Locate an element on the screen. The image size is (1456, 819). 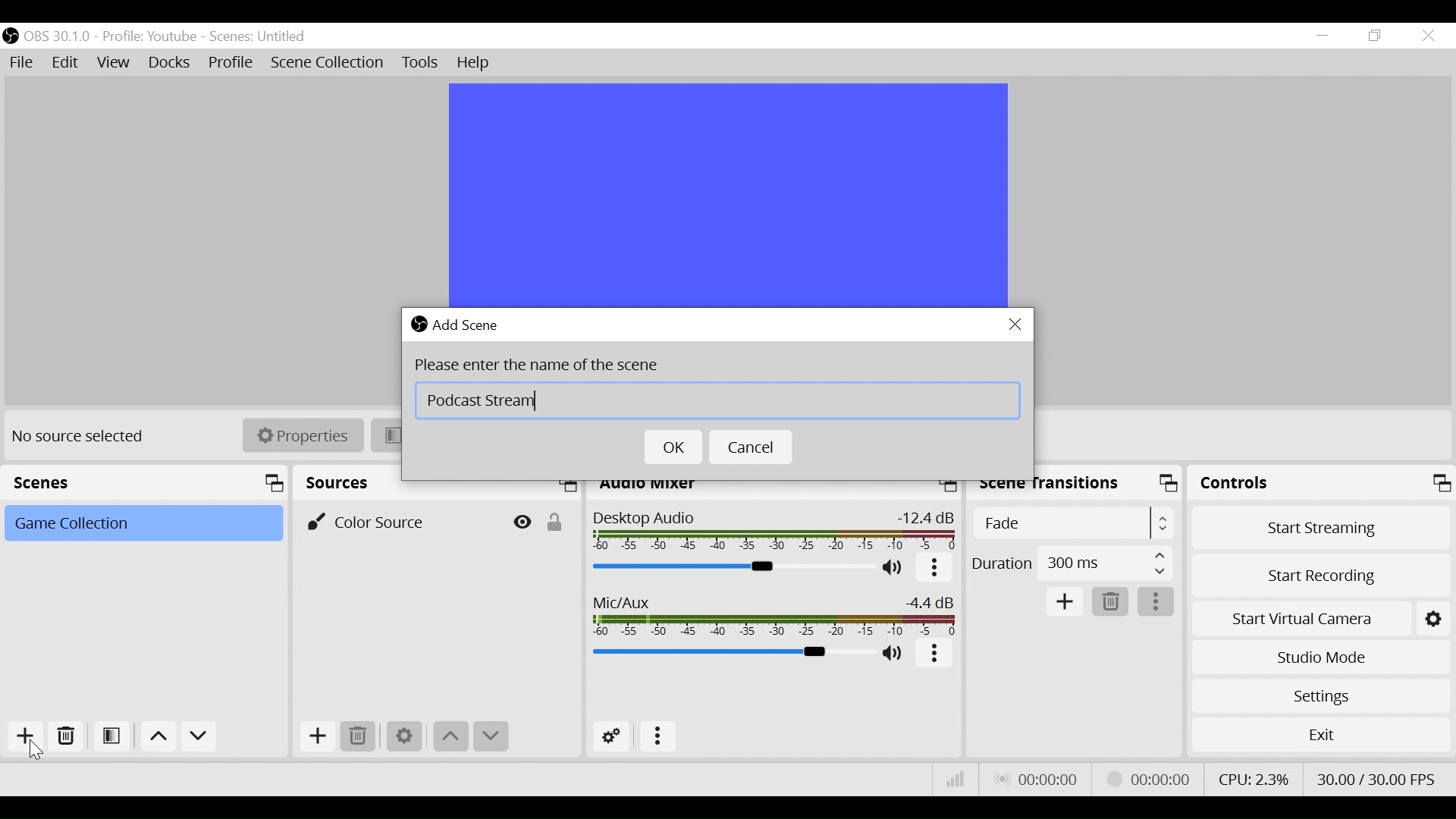
Close is located at coordinates (1016, 324).